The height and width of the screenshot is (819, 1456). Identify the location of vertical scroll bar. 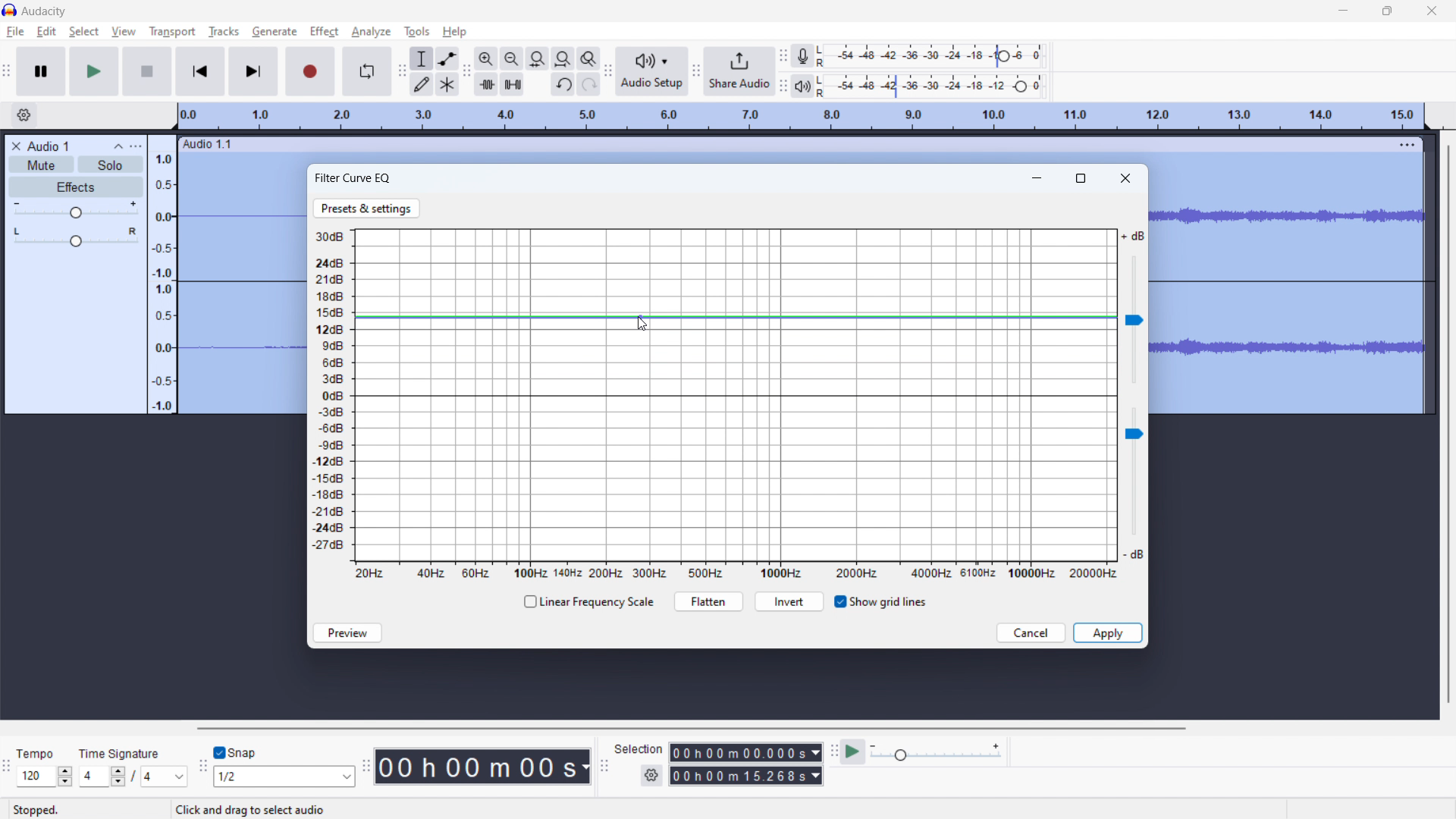
(1446, 425).